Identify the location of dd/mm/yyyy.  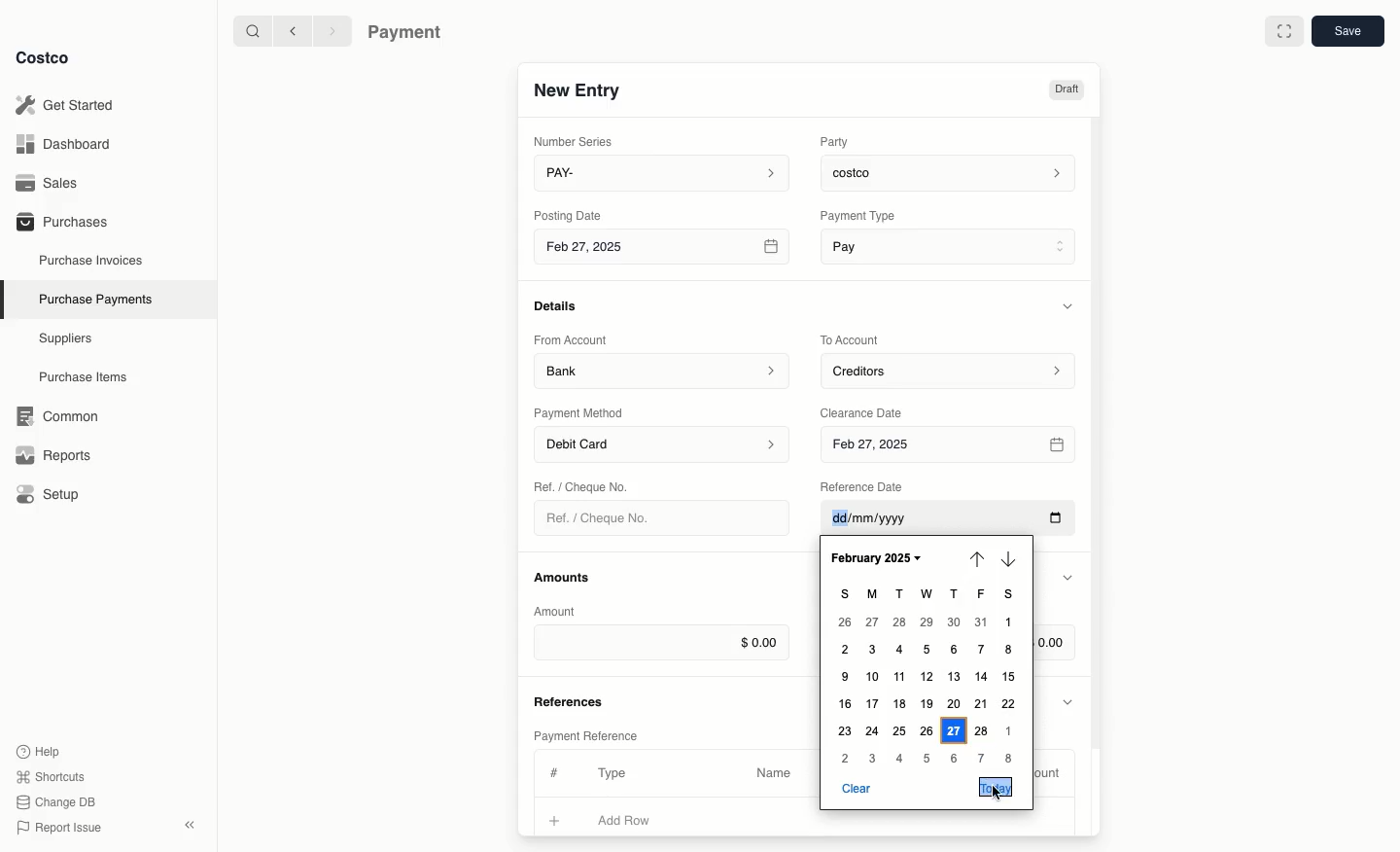
(947, 523).